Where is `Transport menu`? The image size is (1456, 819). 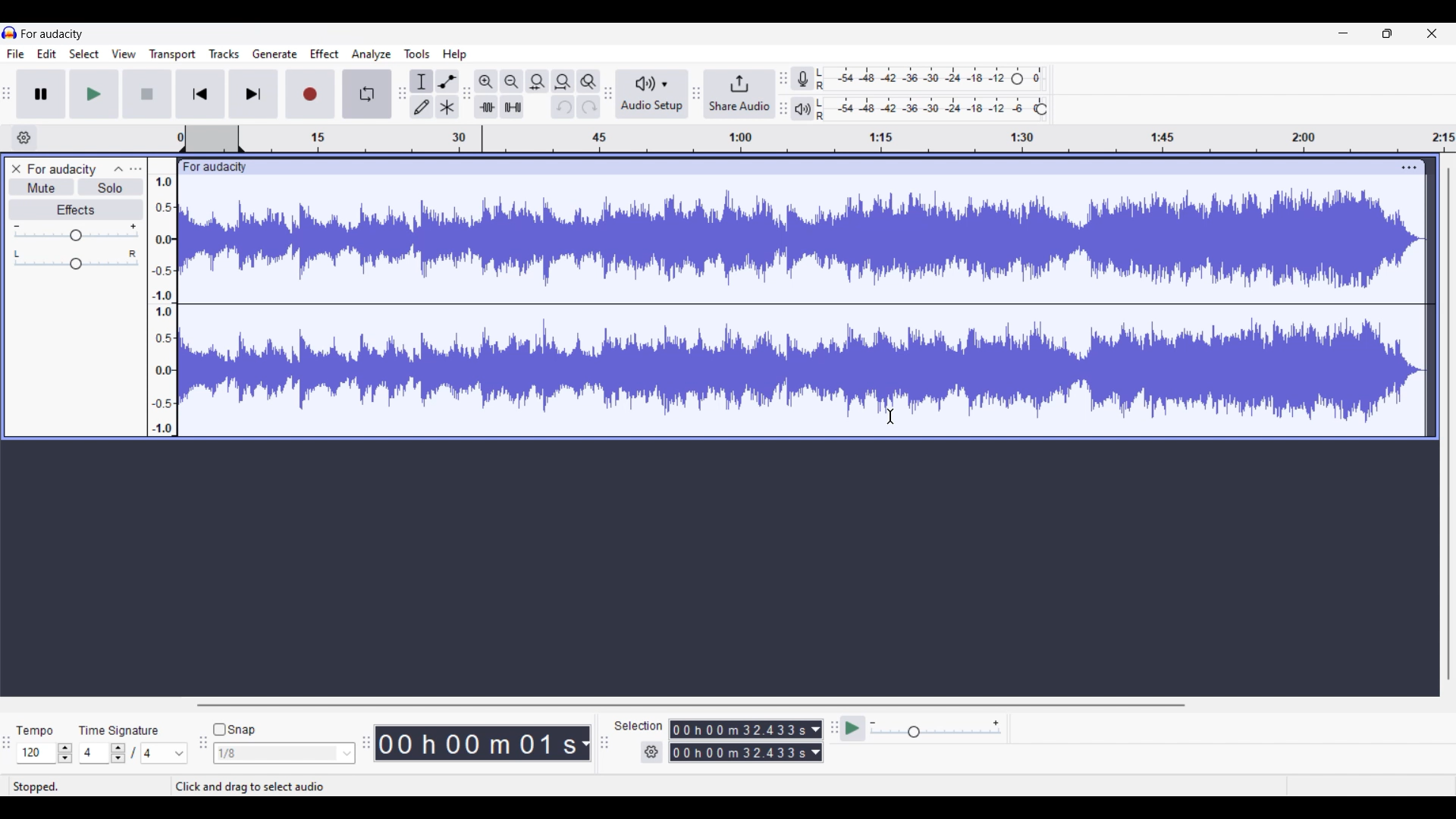 Transport menu is located at coordinates (173, 55).